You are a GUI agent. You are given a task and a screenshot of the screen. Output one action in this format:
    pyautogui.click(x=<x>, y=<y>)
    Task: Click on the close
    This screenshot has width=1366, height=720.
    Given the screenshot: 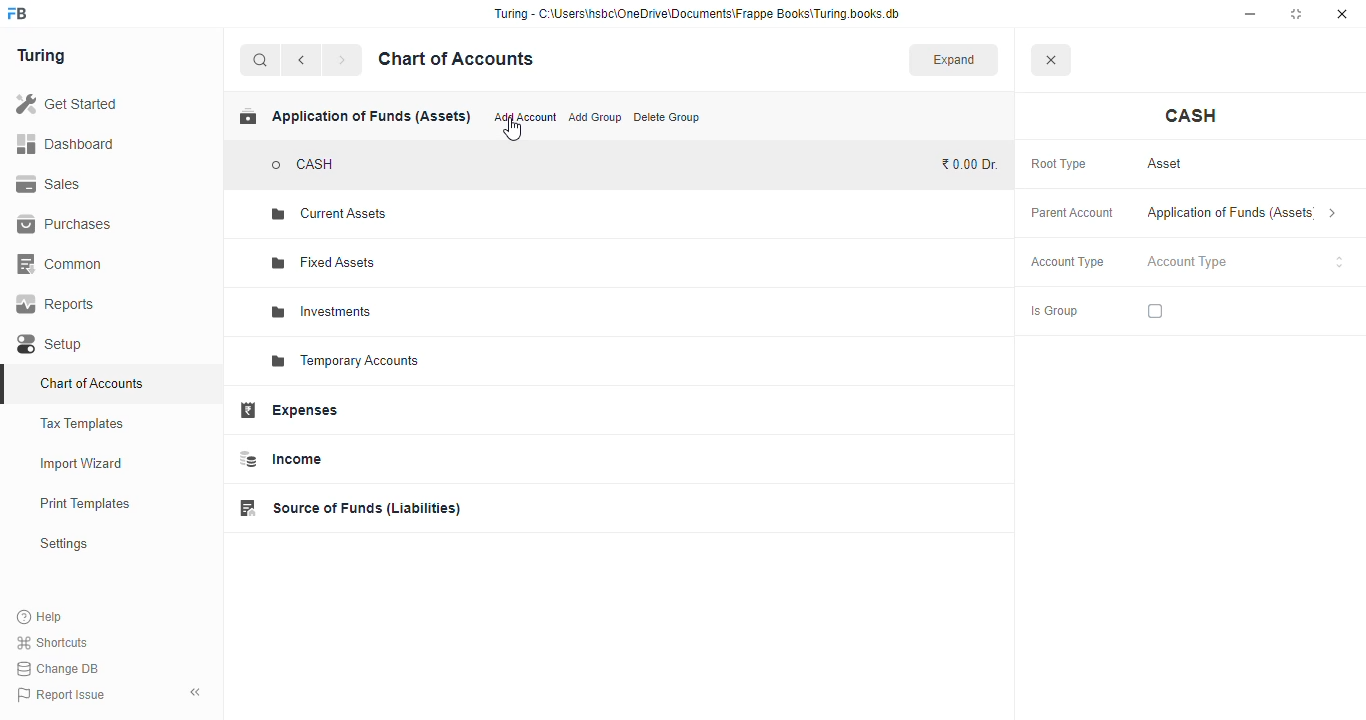 What is the action you would take?
    pyautogui.click(x=1342, y=14)
    